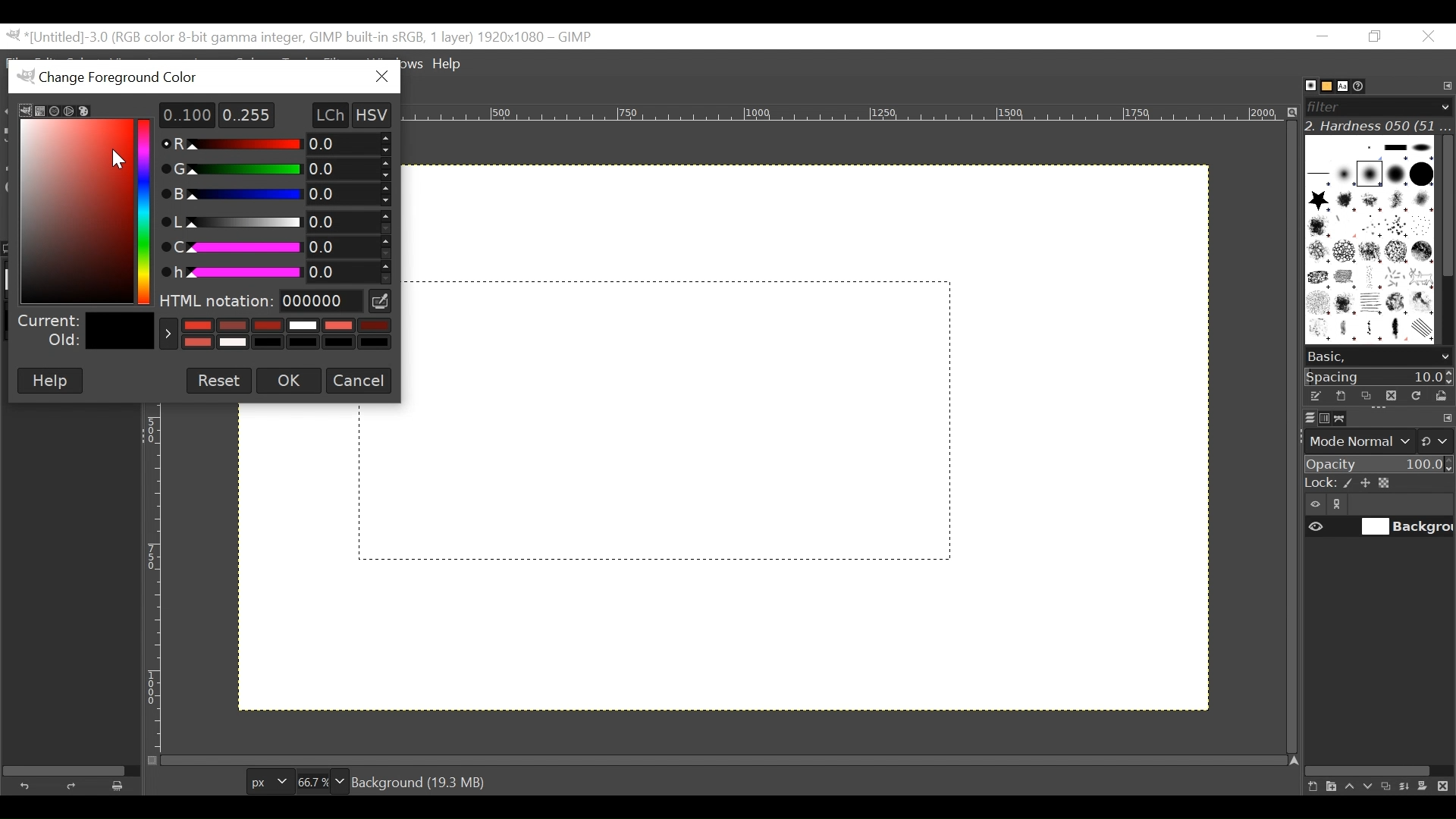  What do you see at coordinates (1301, 417) in the screenshot?
I see `Layers` at bounding box center [1301, 417].